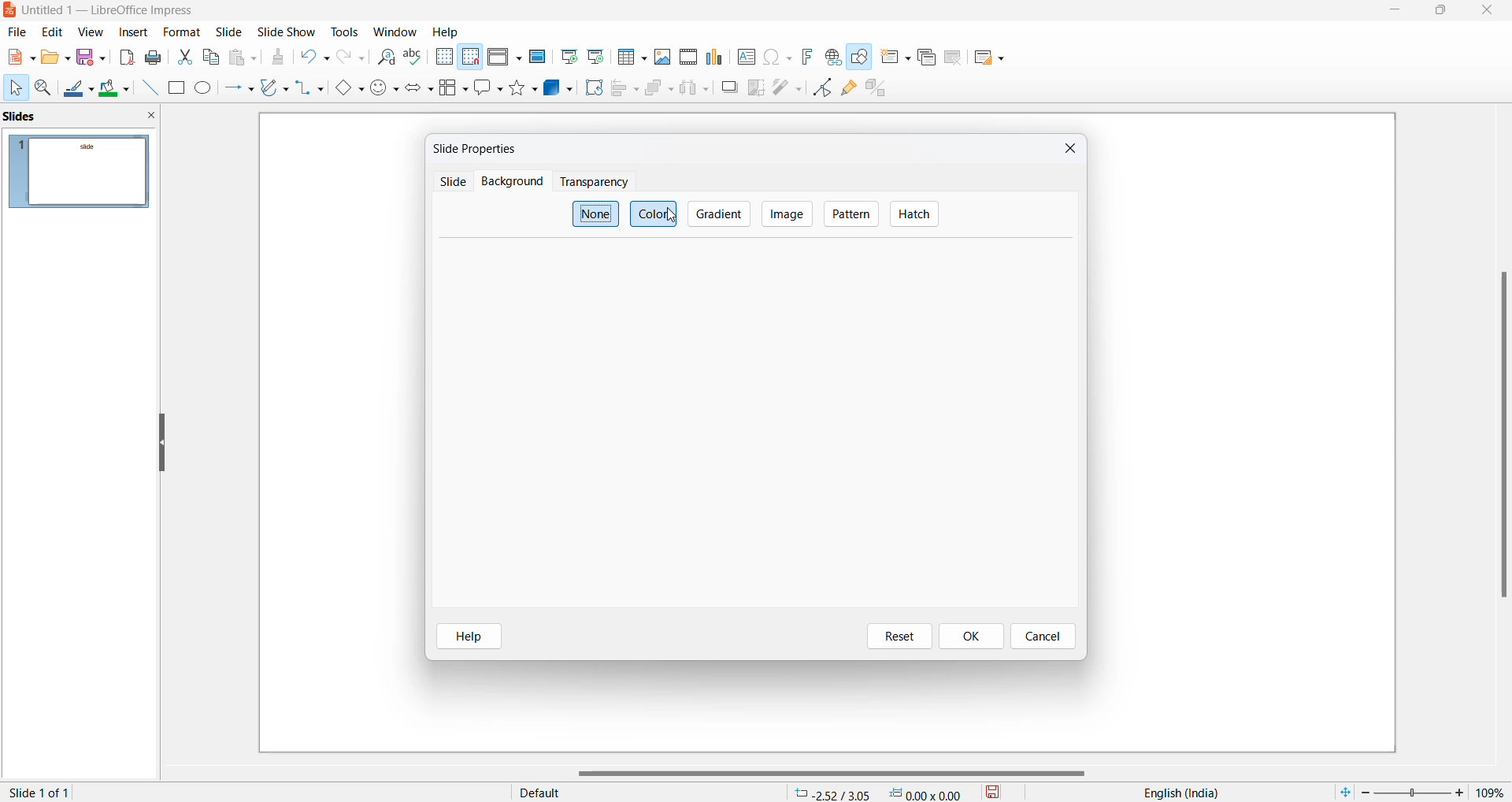 Image resolution: width=1512 pixels, height=802 pixels. I want to click on text language, so click(1176, 793).